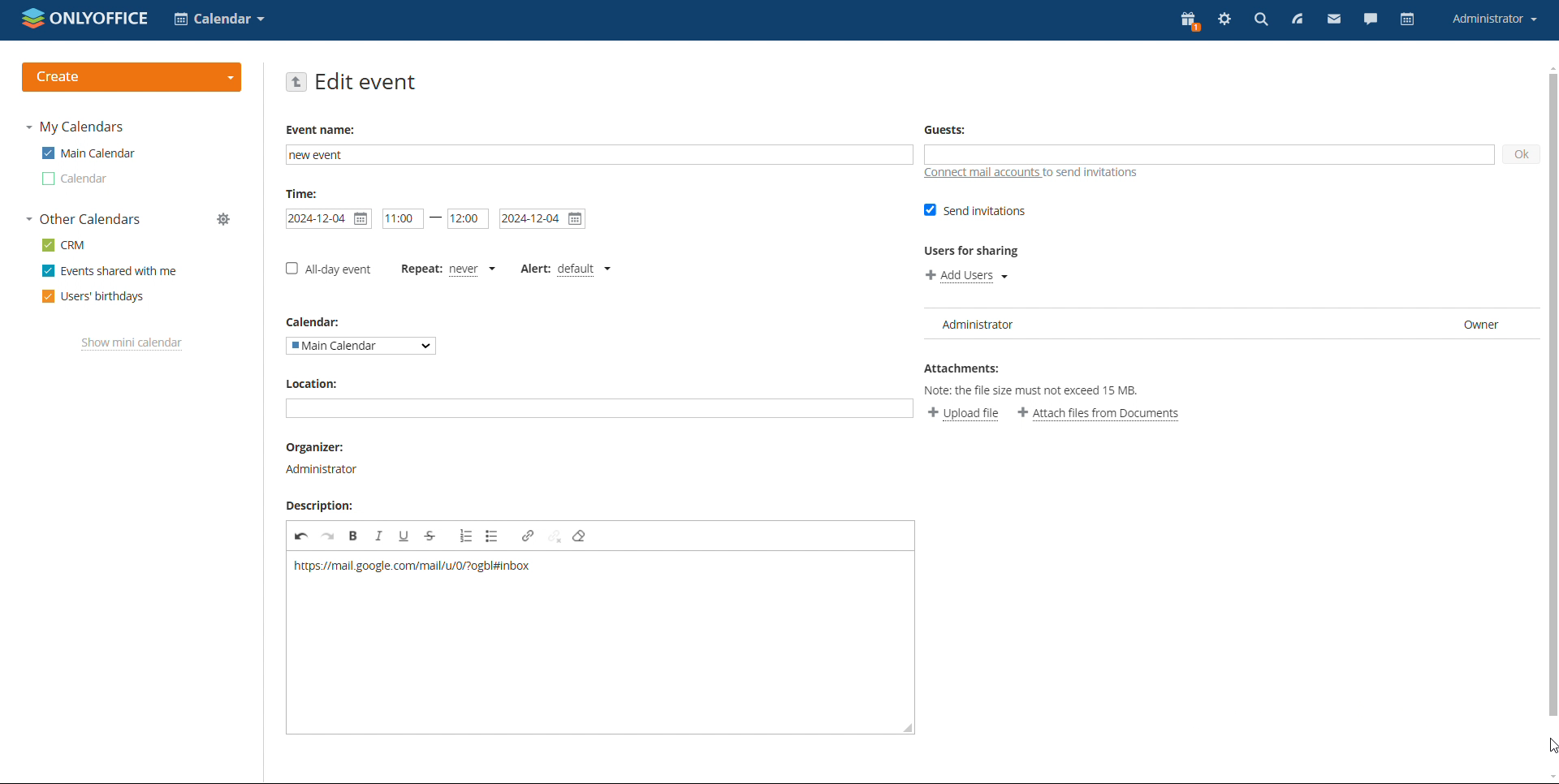 The width and height of the screenshot is (1559, 784). Describe the element at coordinates (1260, 21) in the screenshot. I see `search` at that location.